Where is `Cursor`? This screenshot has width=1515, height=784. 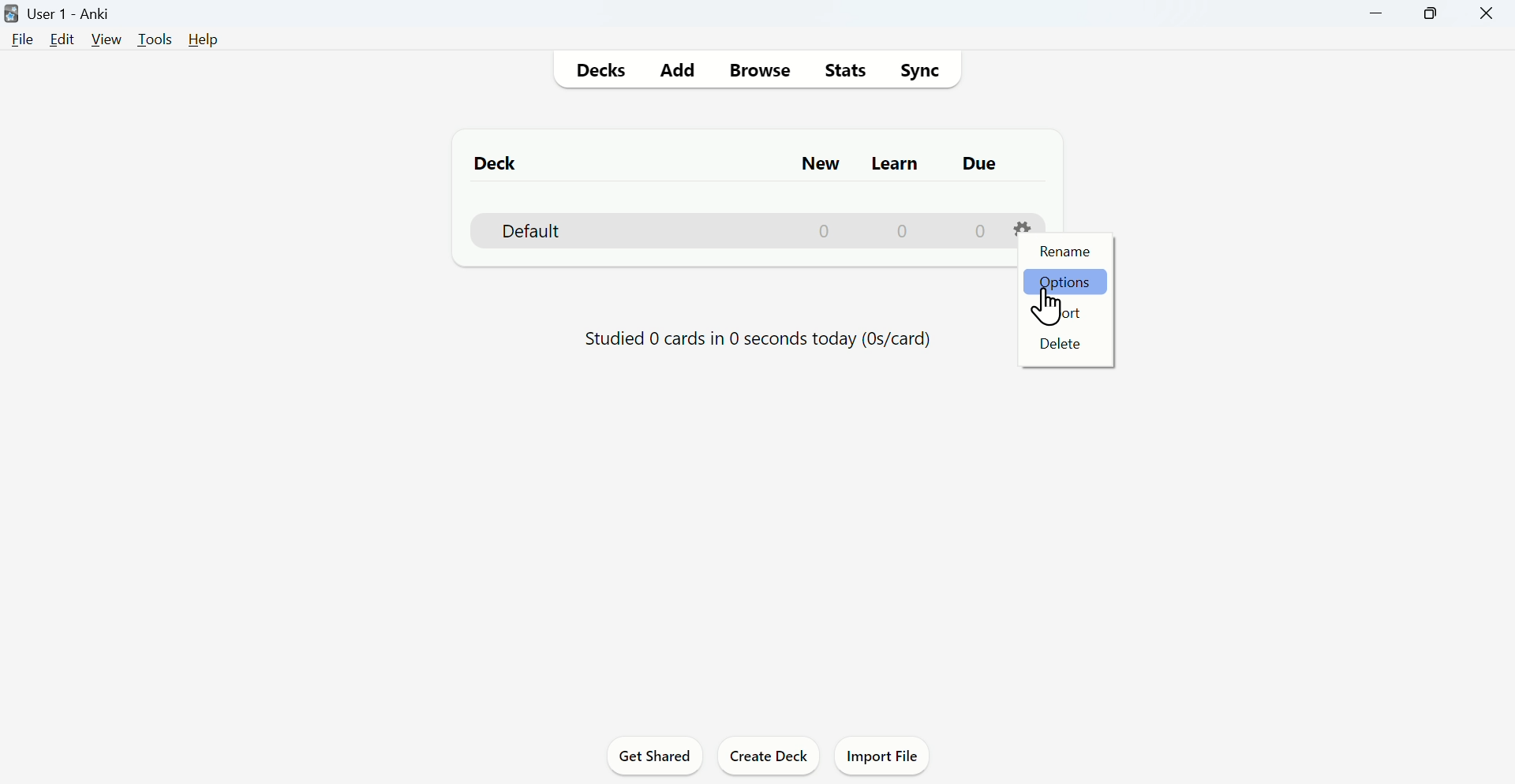 Cursor is located at coordinates (1049, 306).